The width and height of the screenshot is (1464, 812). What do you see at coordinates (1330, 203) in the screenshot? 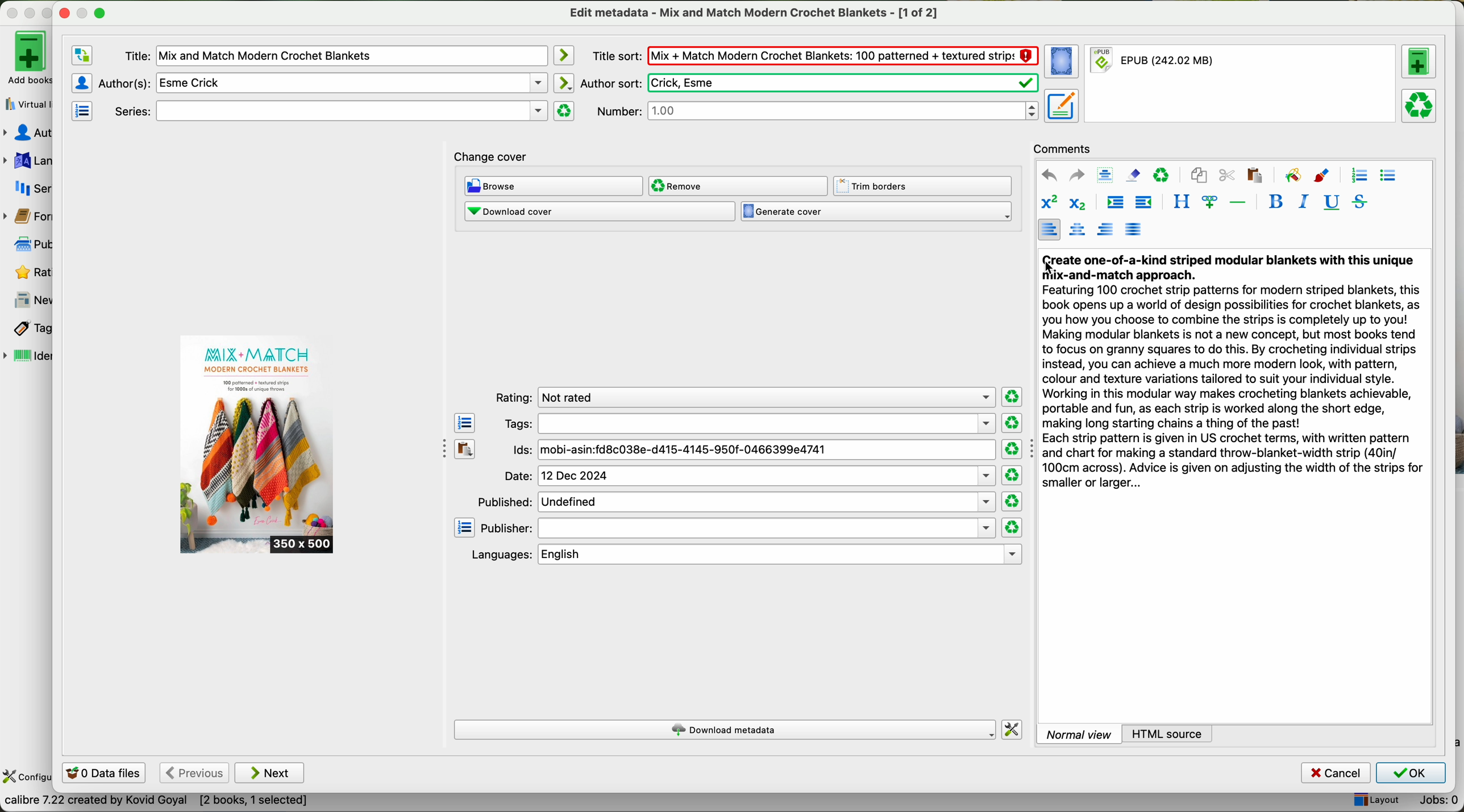
I see `underline` at bounding box center [1330, 203].